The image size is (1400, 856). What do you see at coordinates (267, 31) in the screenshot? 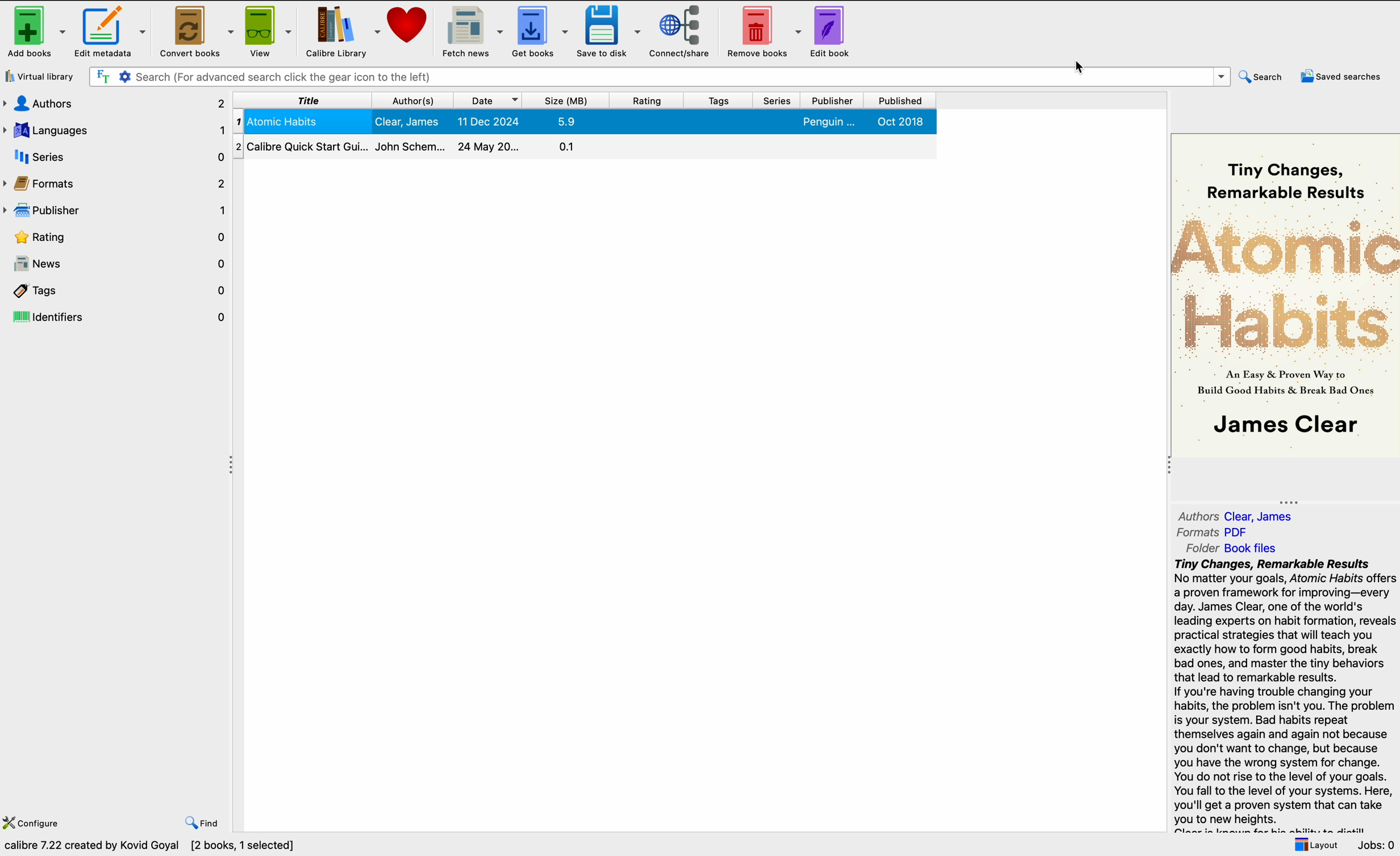
I see `view` at bounding box center [267, 31].